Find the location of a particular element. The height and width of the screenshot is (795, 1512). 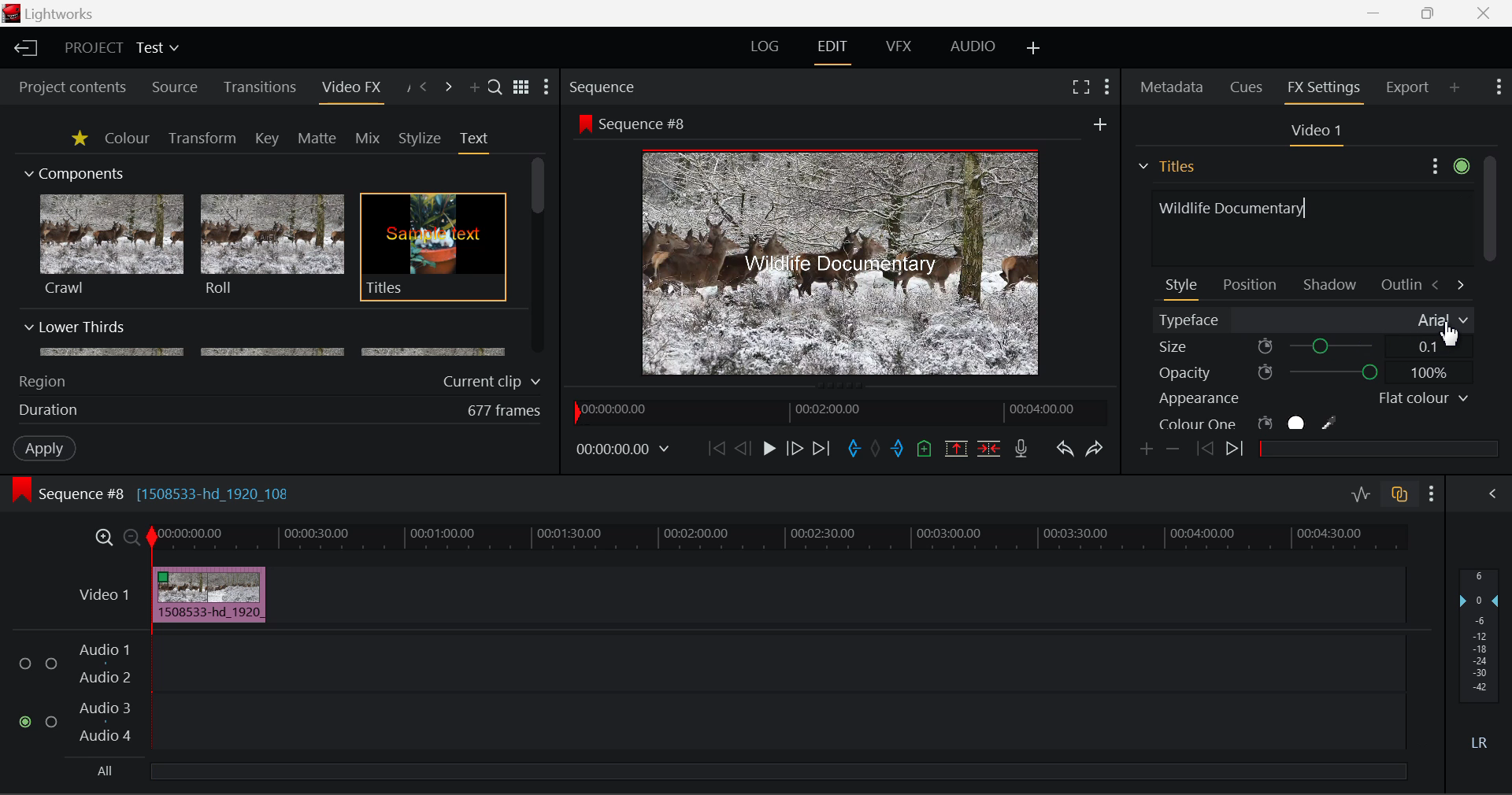

Zoom Out Timeline is located at coordinates (132, 539).